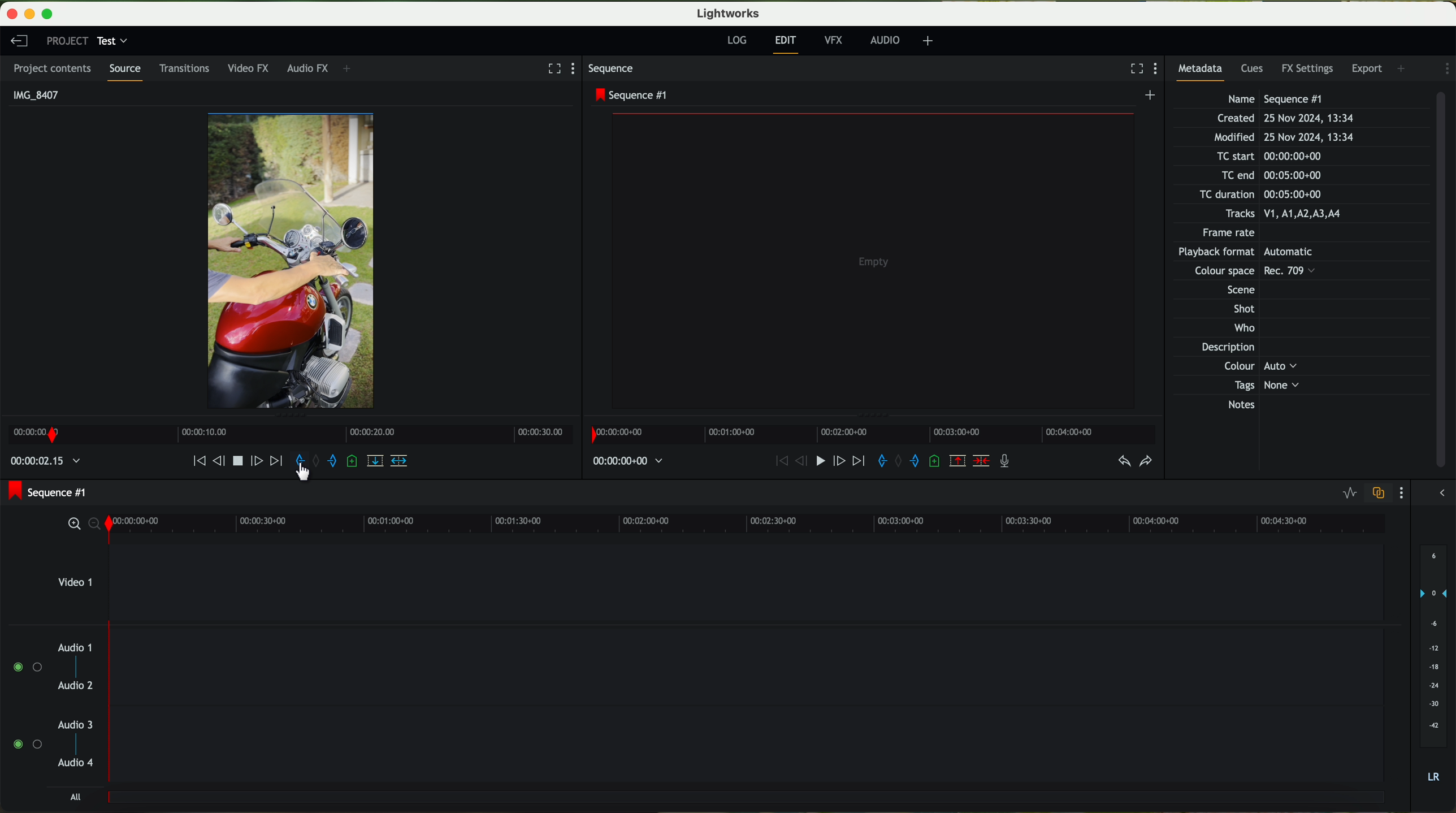 This screenshot has width=1456, height=813. I want to click on enable audio tracks, so click(25, 706).